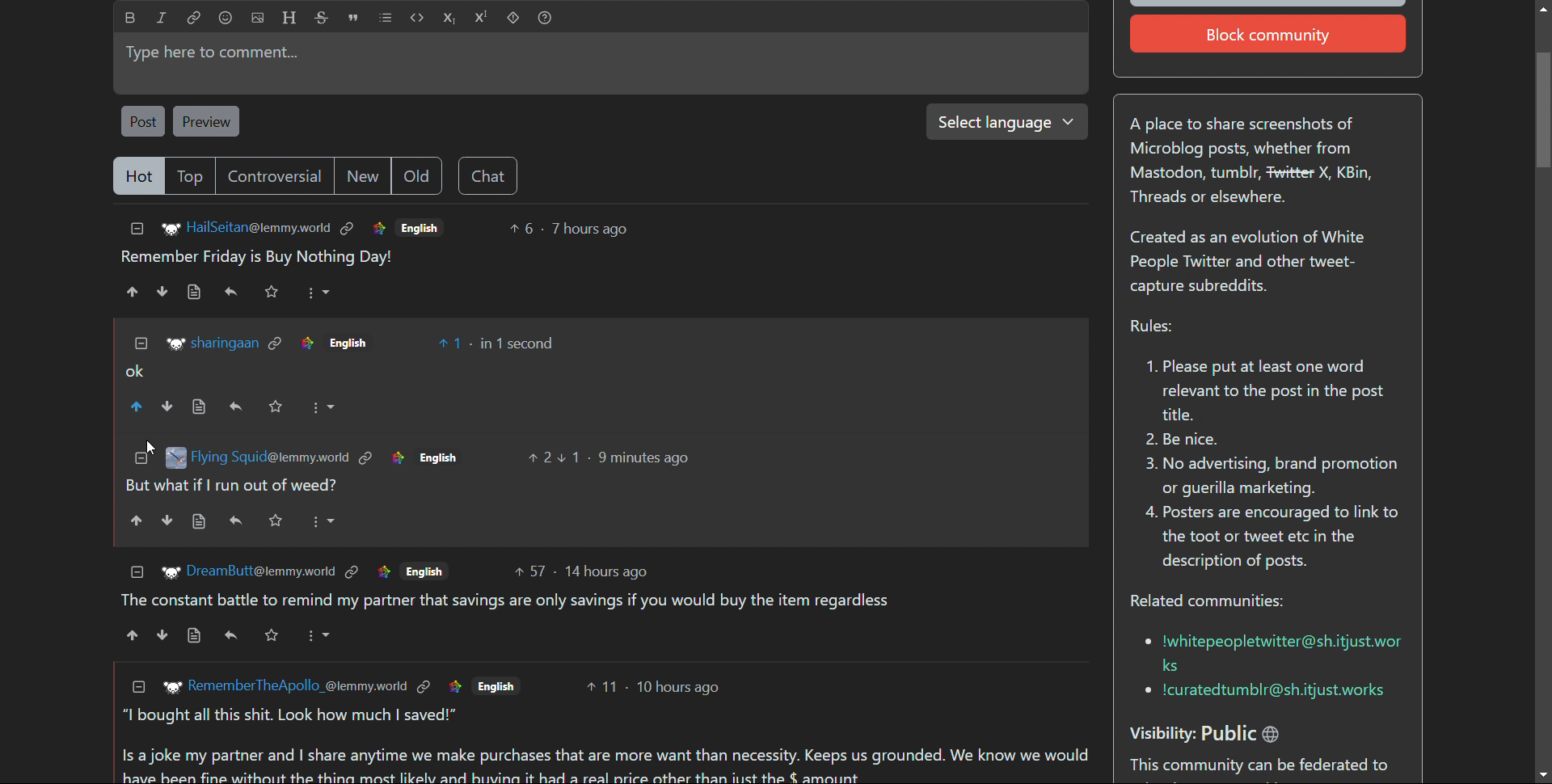  Describe the element at coordinates (589, 229) in the screenshot. I see `time of posting` at that location.